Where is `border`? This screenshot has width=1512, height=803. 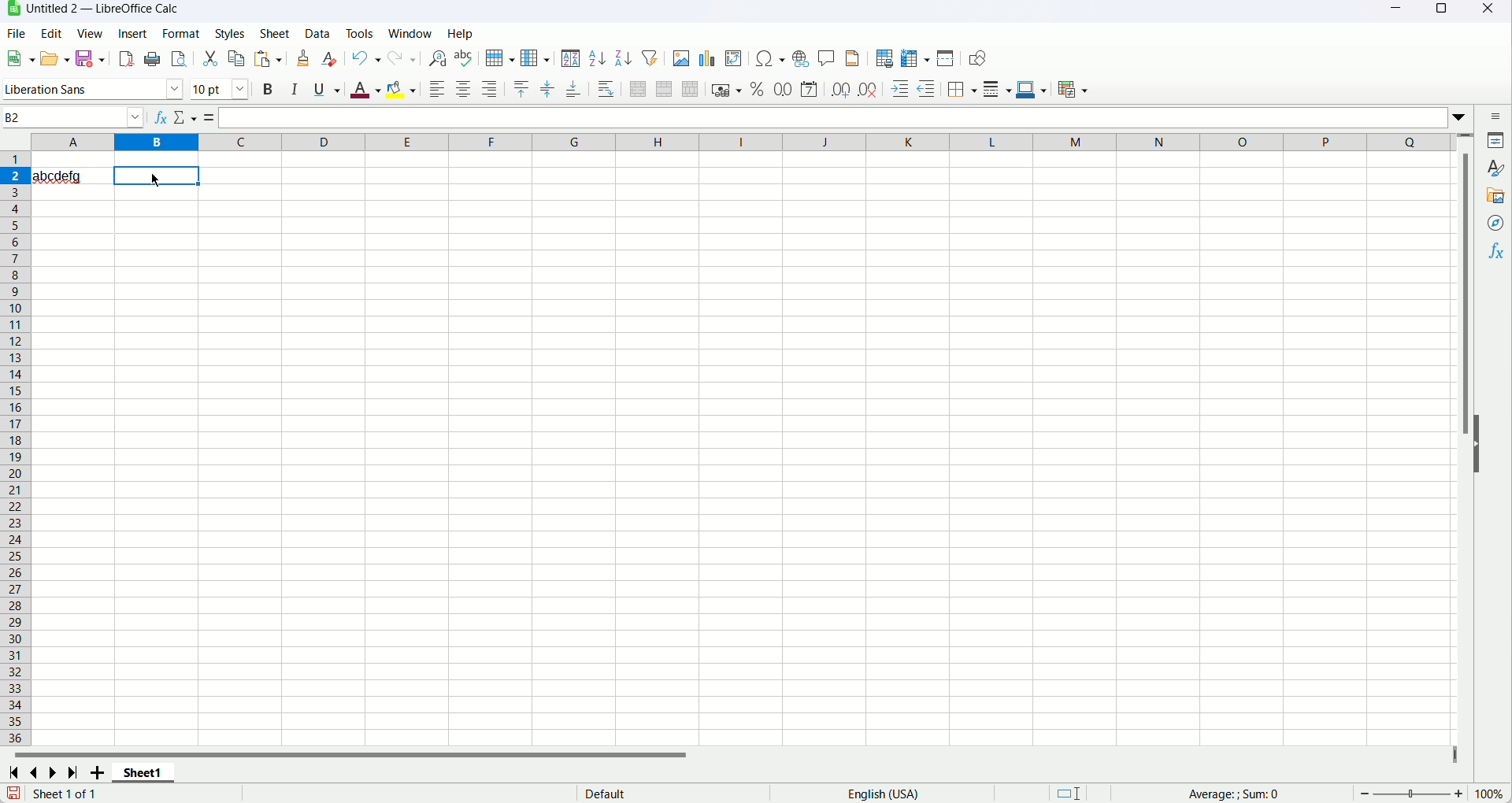 border is located at coordinates (963, 89).